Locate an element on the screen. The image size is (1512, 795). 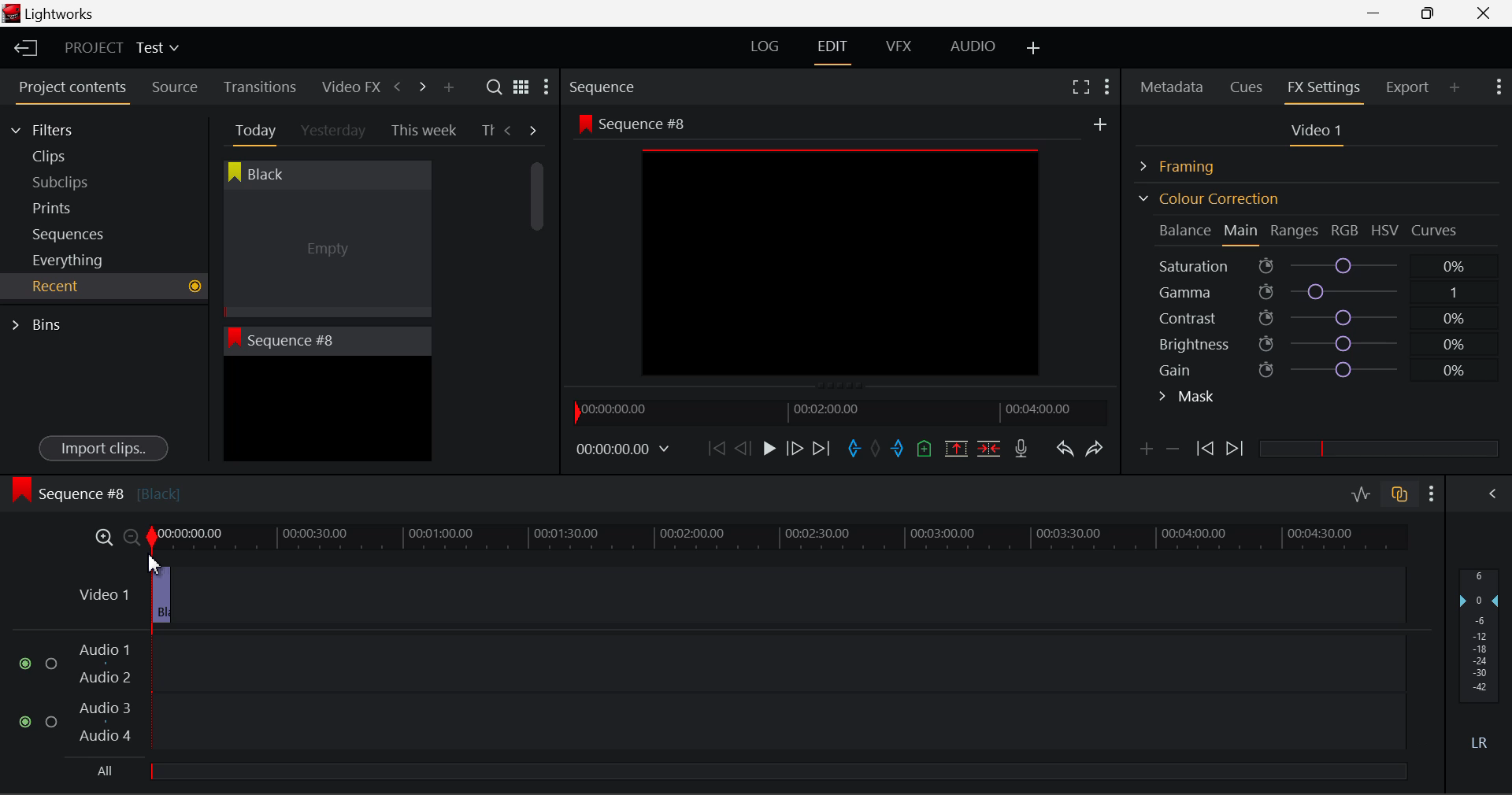
Previous Tab is located at coordinates (510, 130).